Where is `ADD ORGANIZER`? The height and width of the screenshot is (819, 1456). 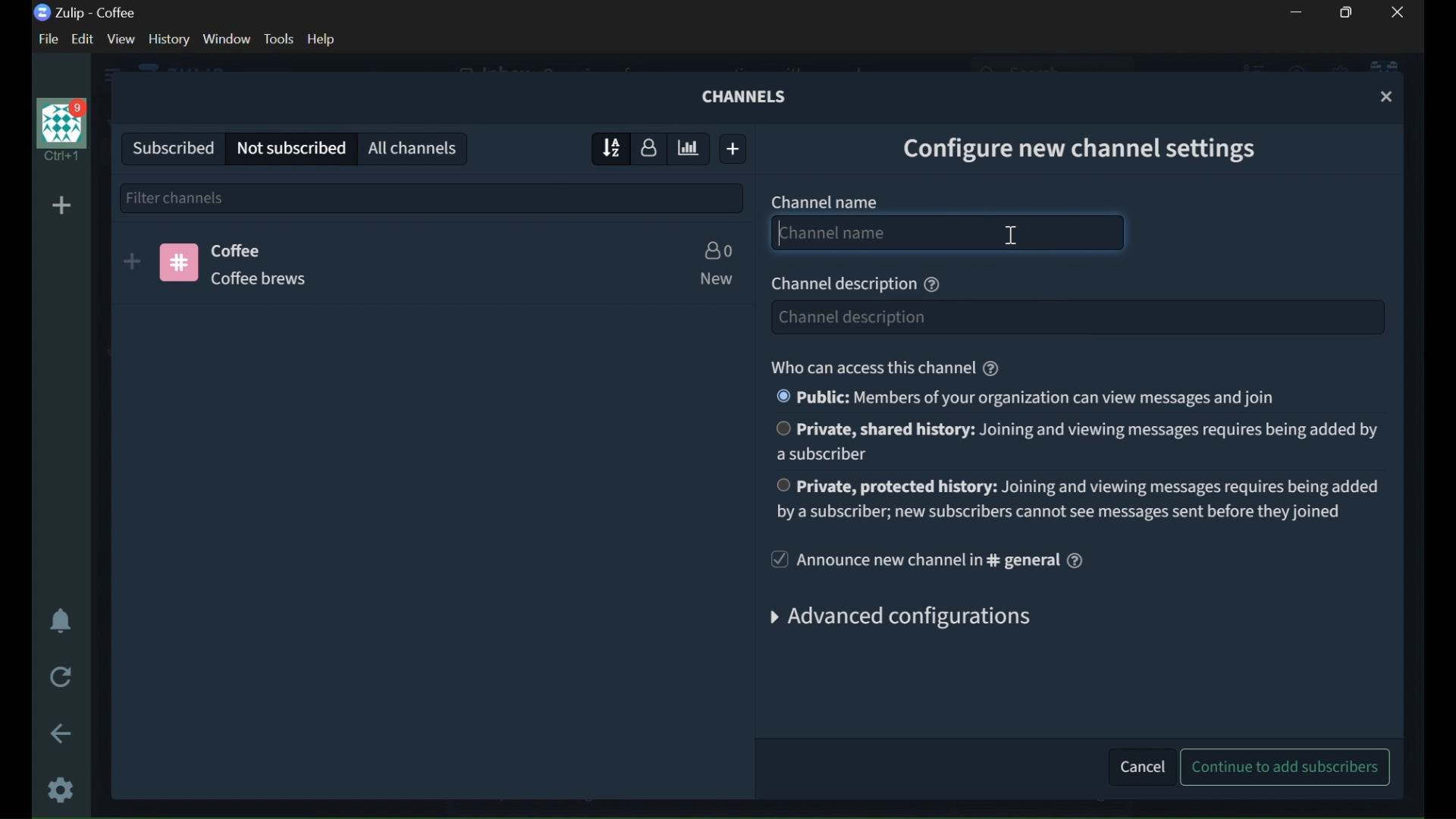 ADD ORGANIZER is located at coordinates (61, 206).